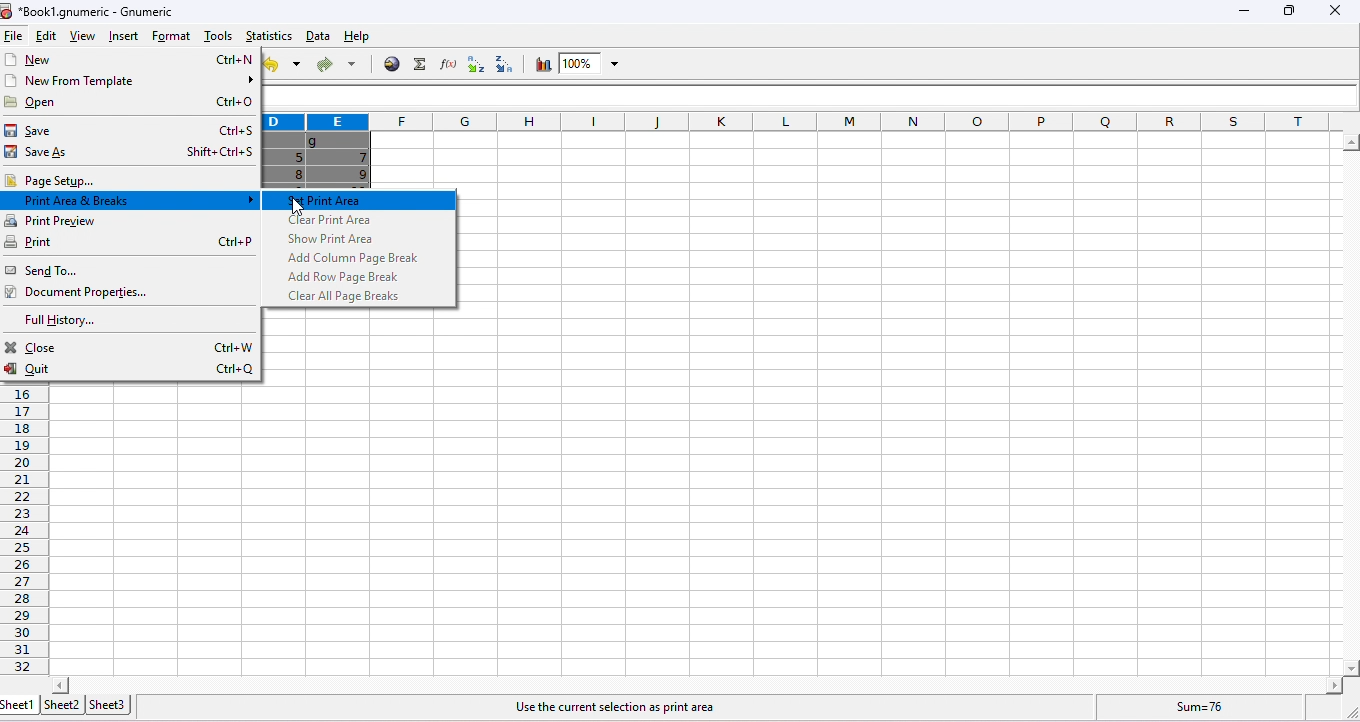  What do you see at coordinates (335, 66) in the screenshot?
I see `redo` at bounding box center [335, 66].